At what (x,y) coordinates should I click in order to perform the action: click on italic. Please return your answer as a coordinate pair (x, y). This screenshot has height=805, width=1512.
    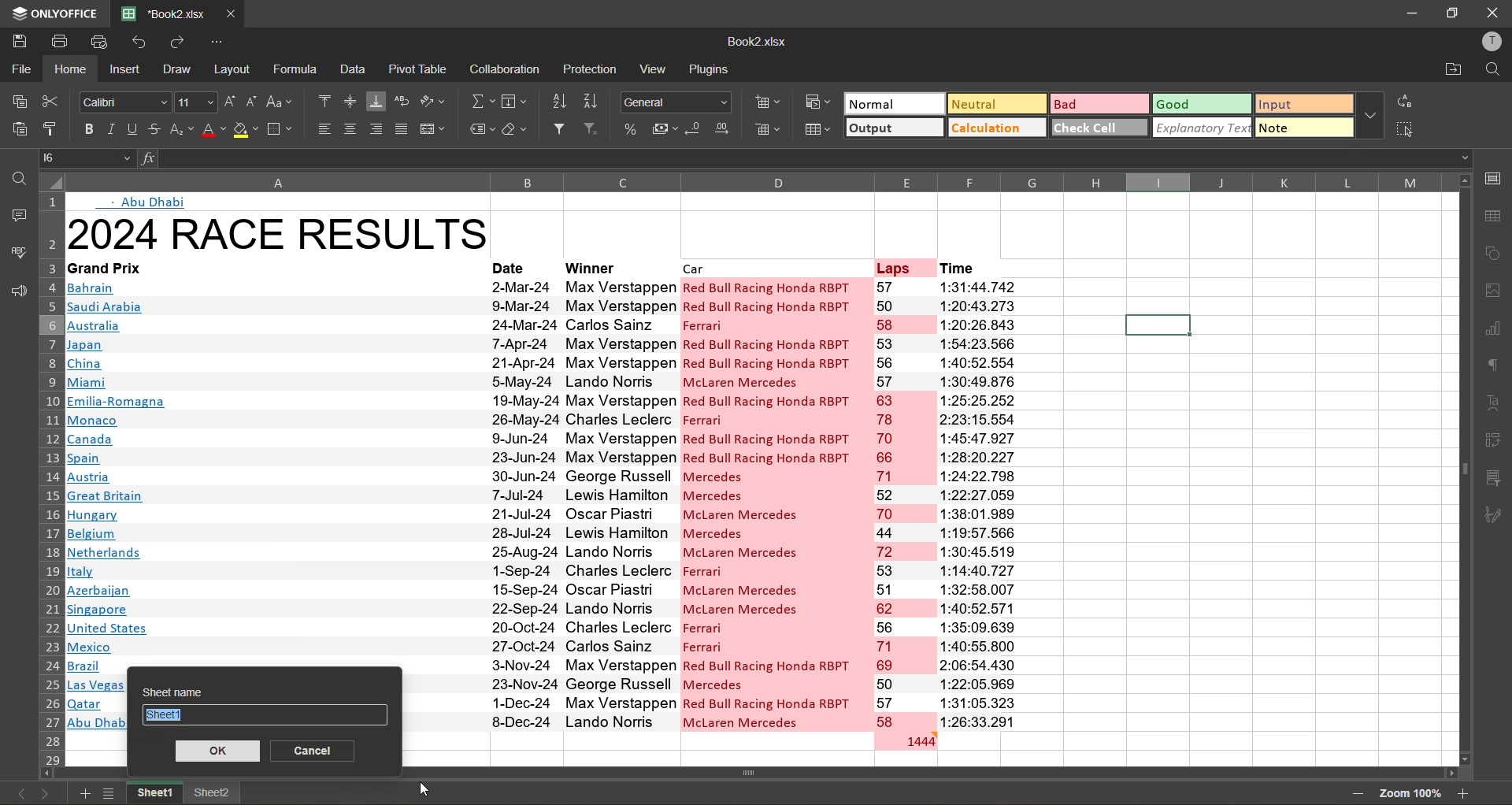
    Looking at the image, I should click on (111, 128).